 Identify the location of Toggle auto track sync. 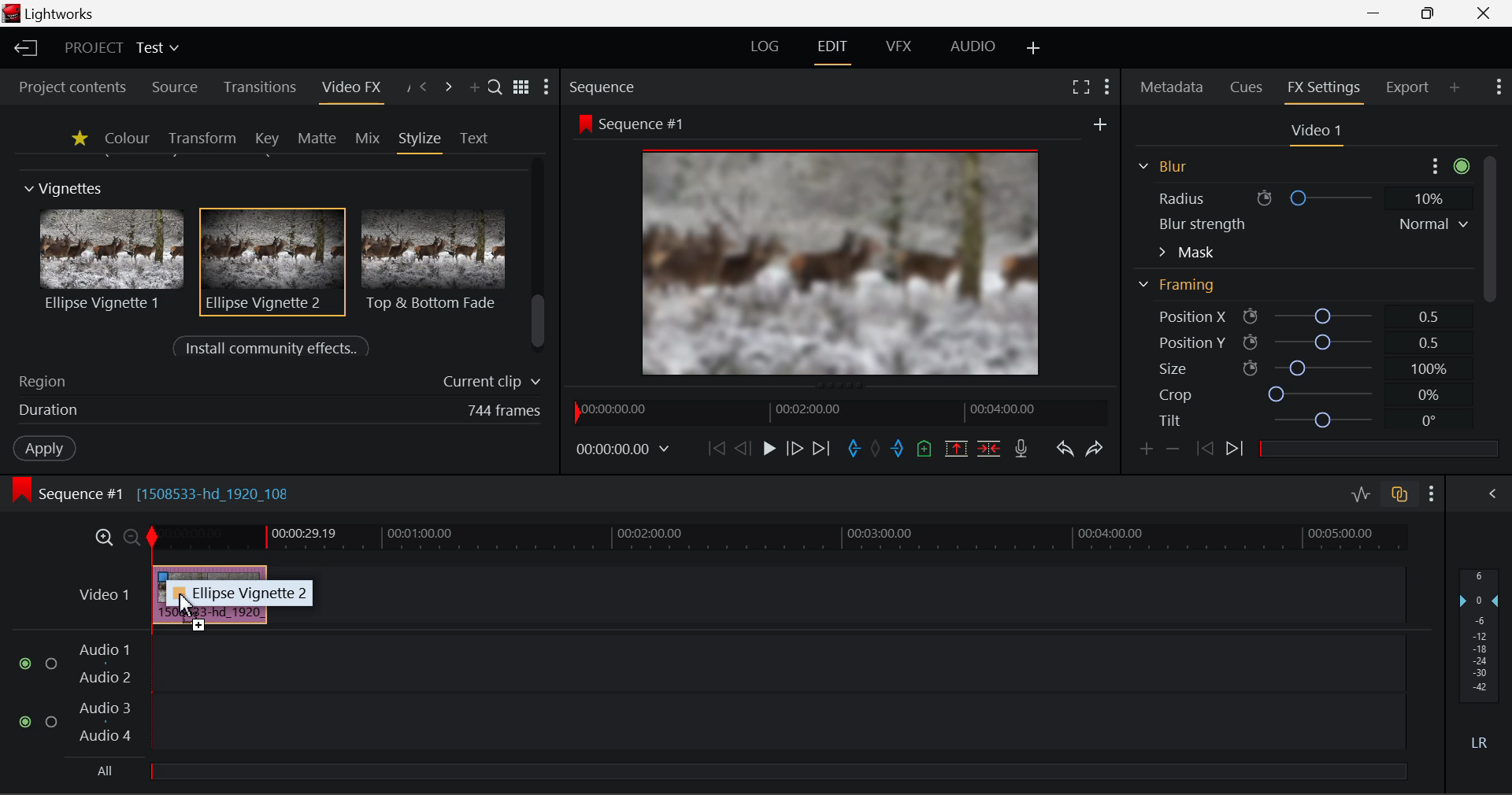
(1398, 492).